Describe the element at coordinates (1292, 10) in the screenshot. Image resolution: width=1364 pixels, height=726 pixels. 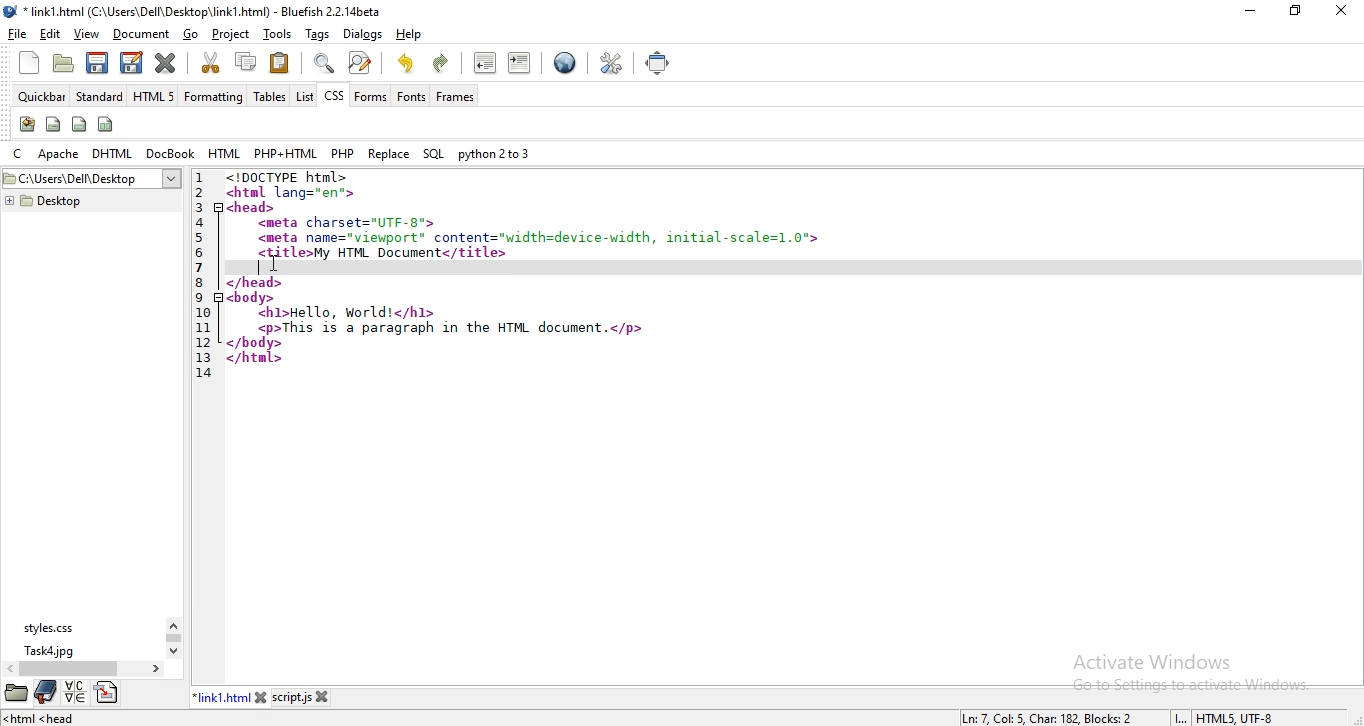
I see `restore window` at that location.